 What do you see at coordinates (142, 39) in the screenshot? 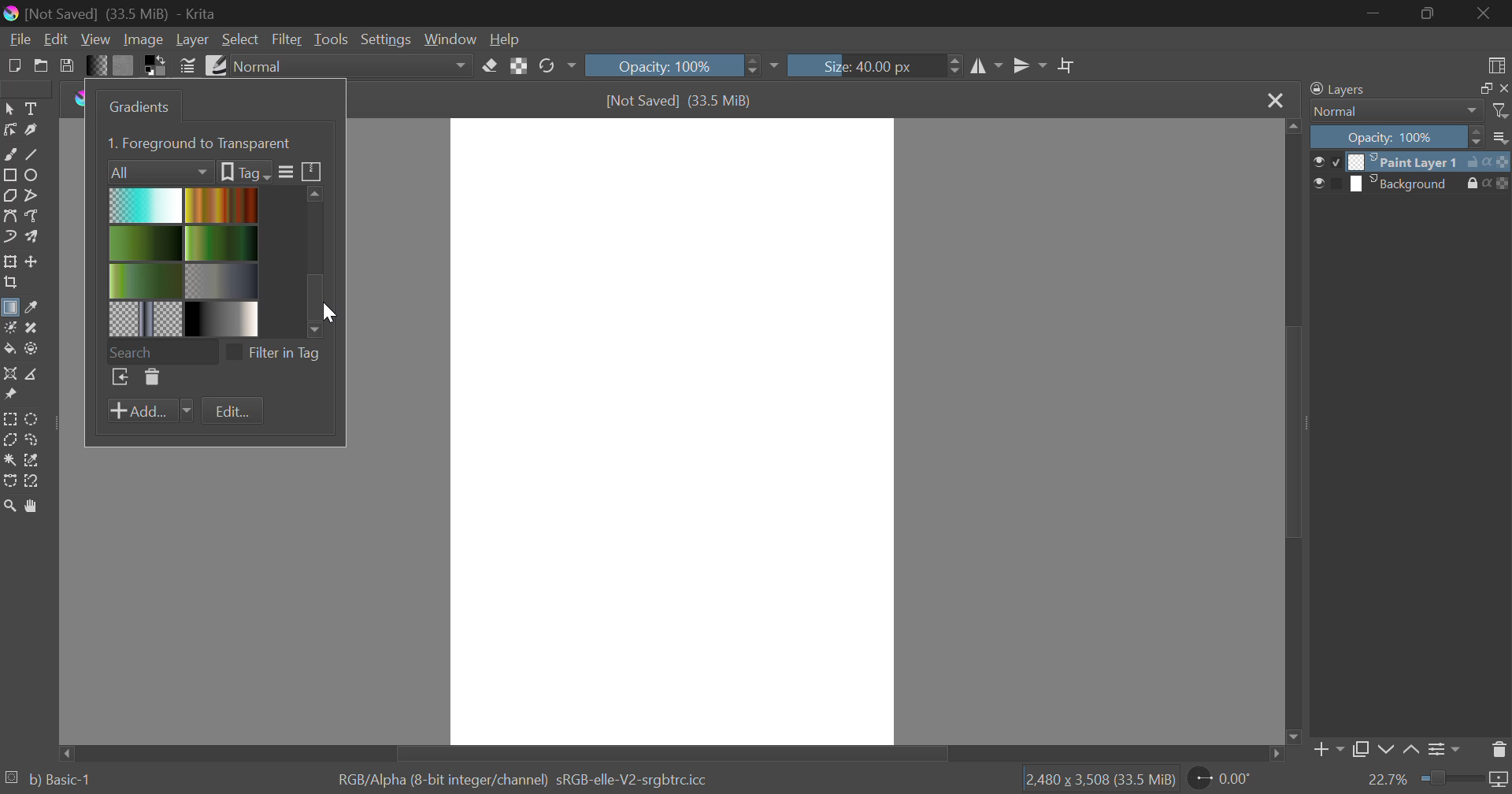
I see `Image` at bounding box center [142, 39].